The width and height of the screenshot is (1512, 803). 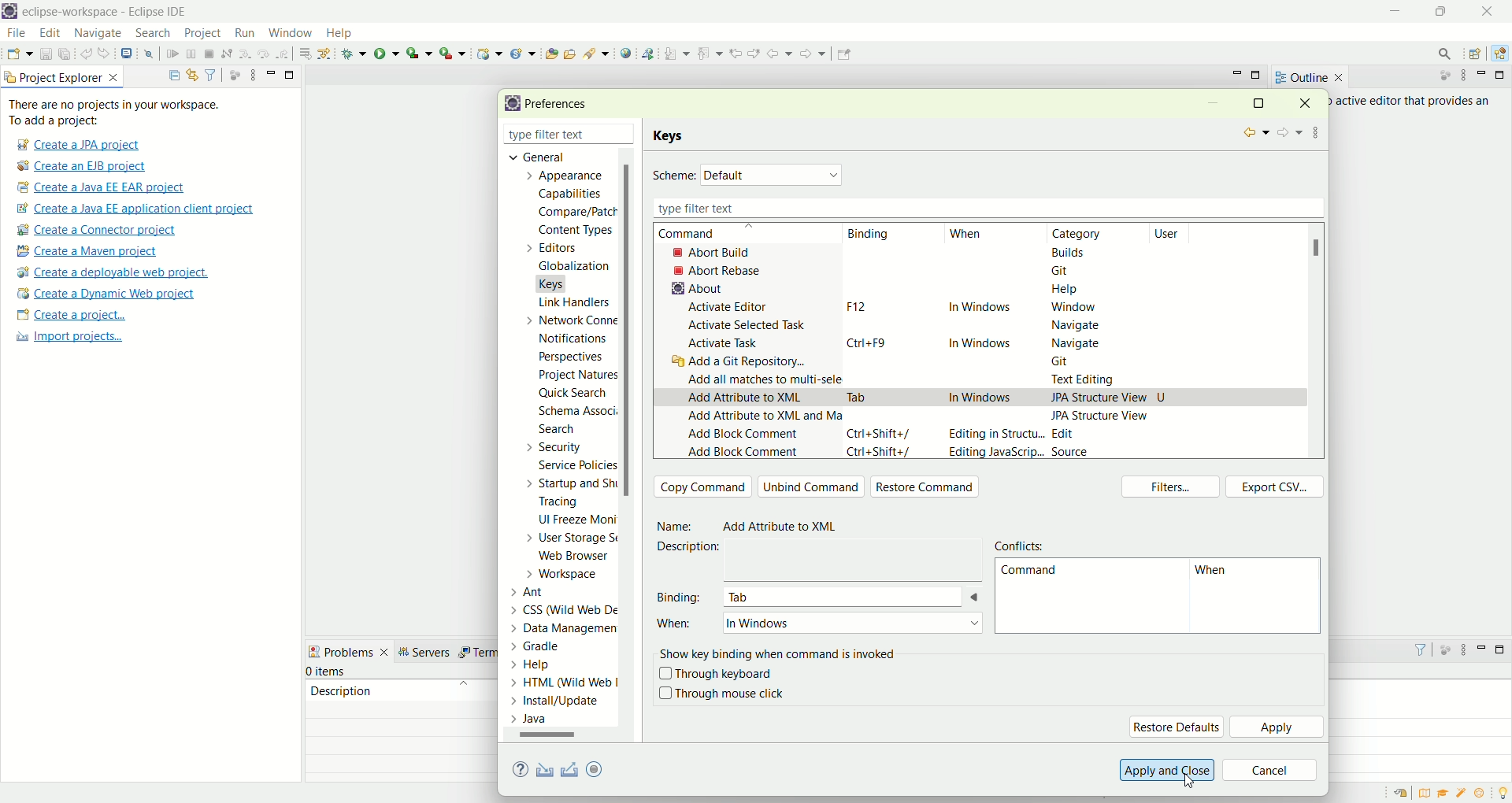 I want to click on add attribute to XML and map, so click(x=762, y=420).